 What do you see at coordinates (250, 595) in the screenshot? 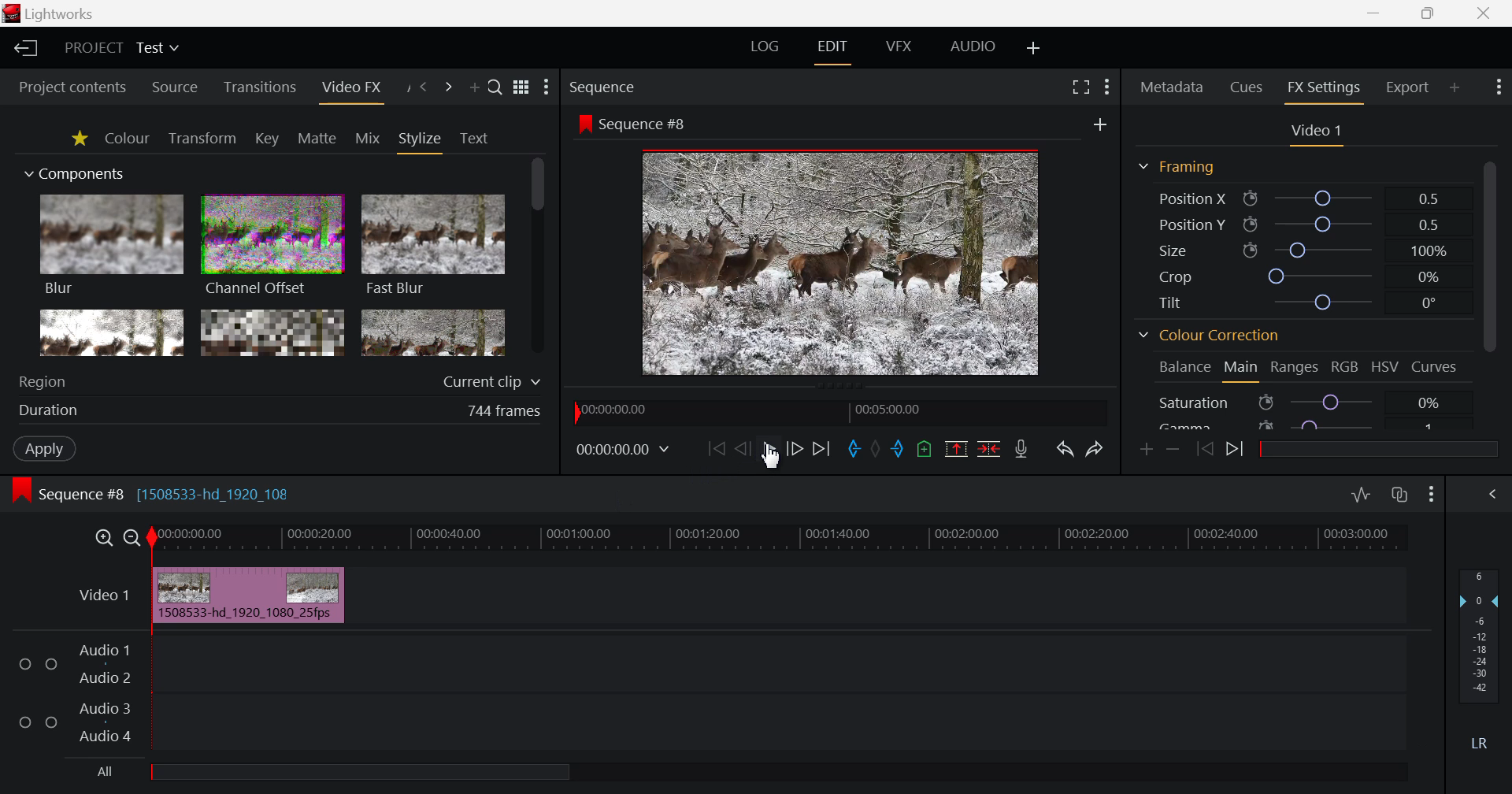
I see `Inserted Clip` at bounding box center [250, 595].